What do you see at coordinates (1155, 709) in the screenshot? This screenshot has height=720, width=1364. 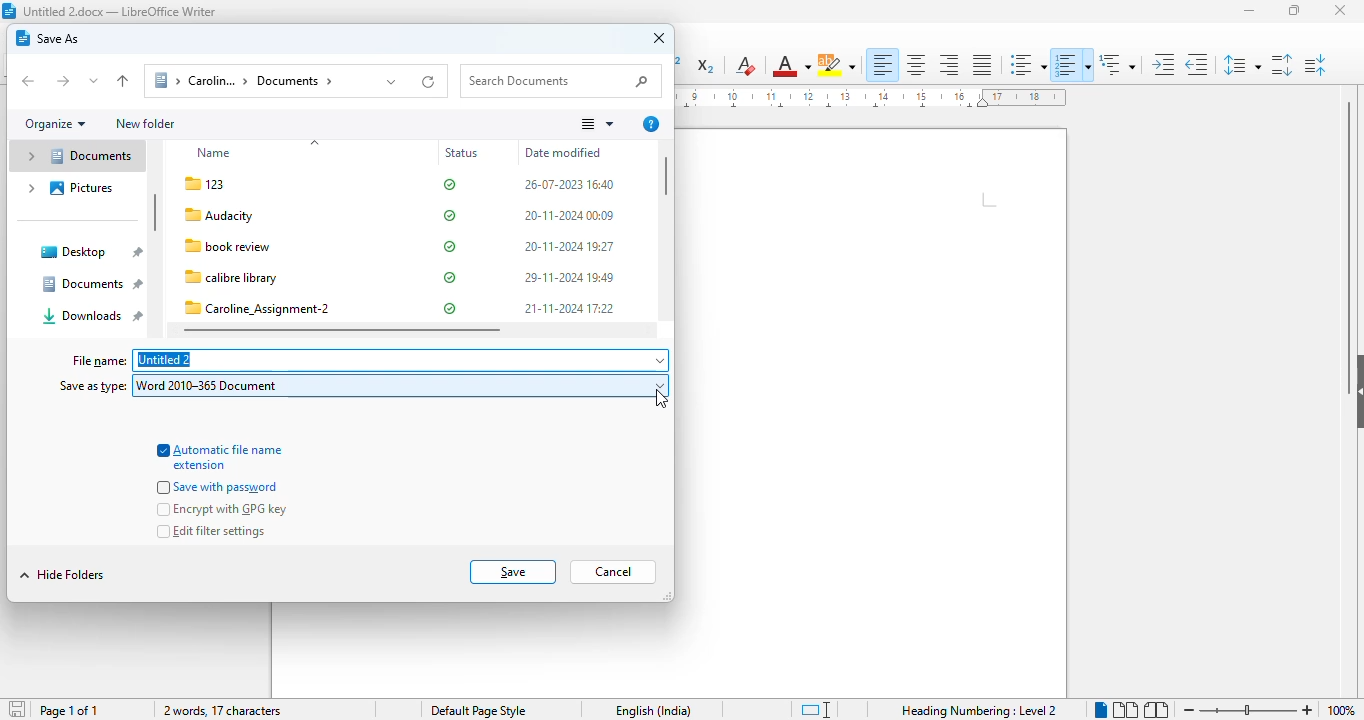 I see `book view` at bounding box center [1155, 709].